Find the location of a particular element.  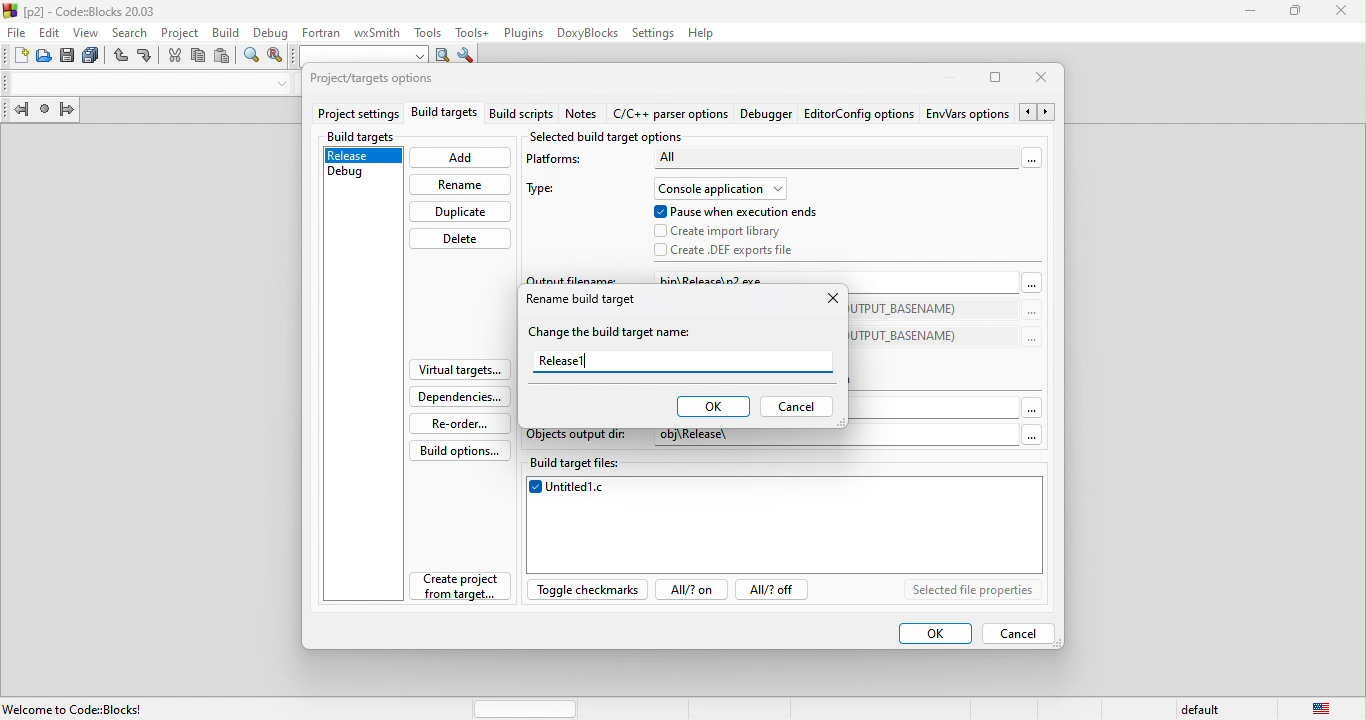

release is located at coordinates (361, 157).